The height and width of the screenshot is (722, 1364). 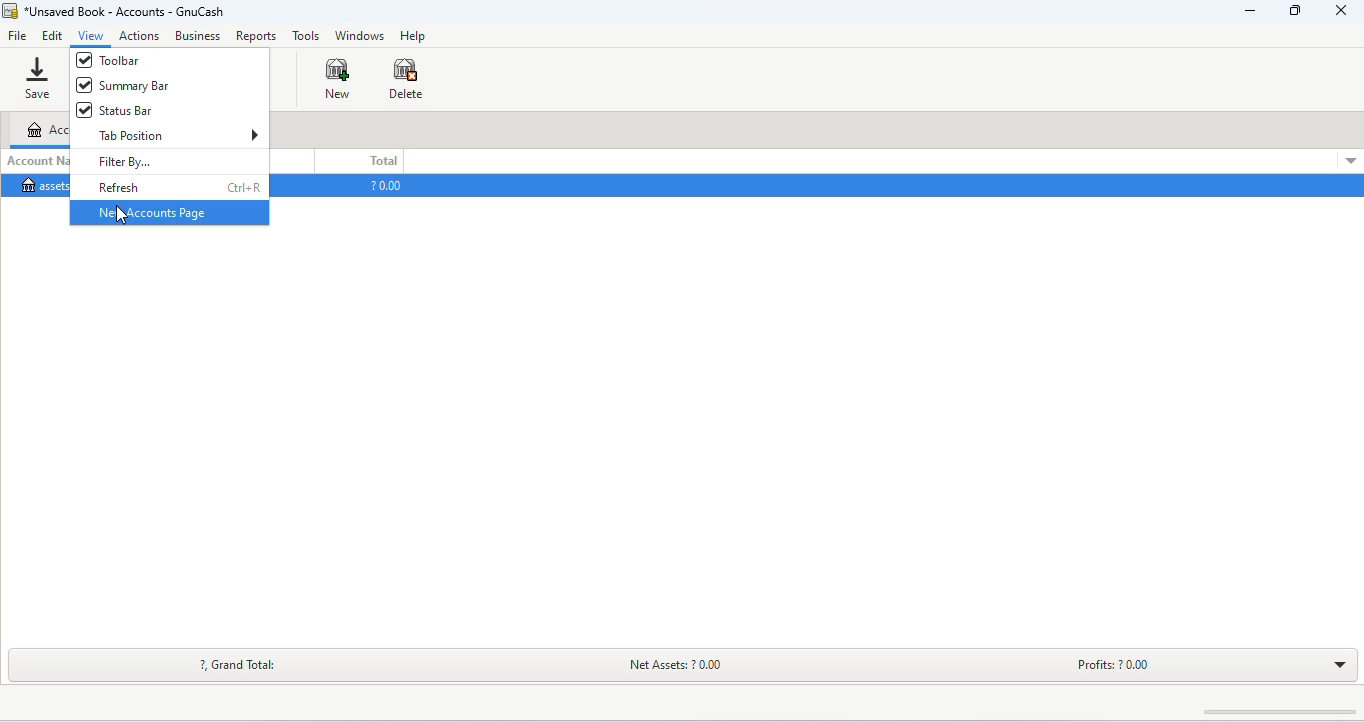 What do you see at coordinates (55, 36) in the screenshot?
I see `edit` at bounding box center [55, 36].